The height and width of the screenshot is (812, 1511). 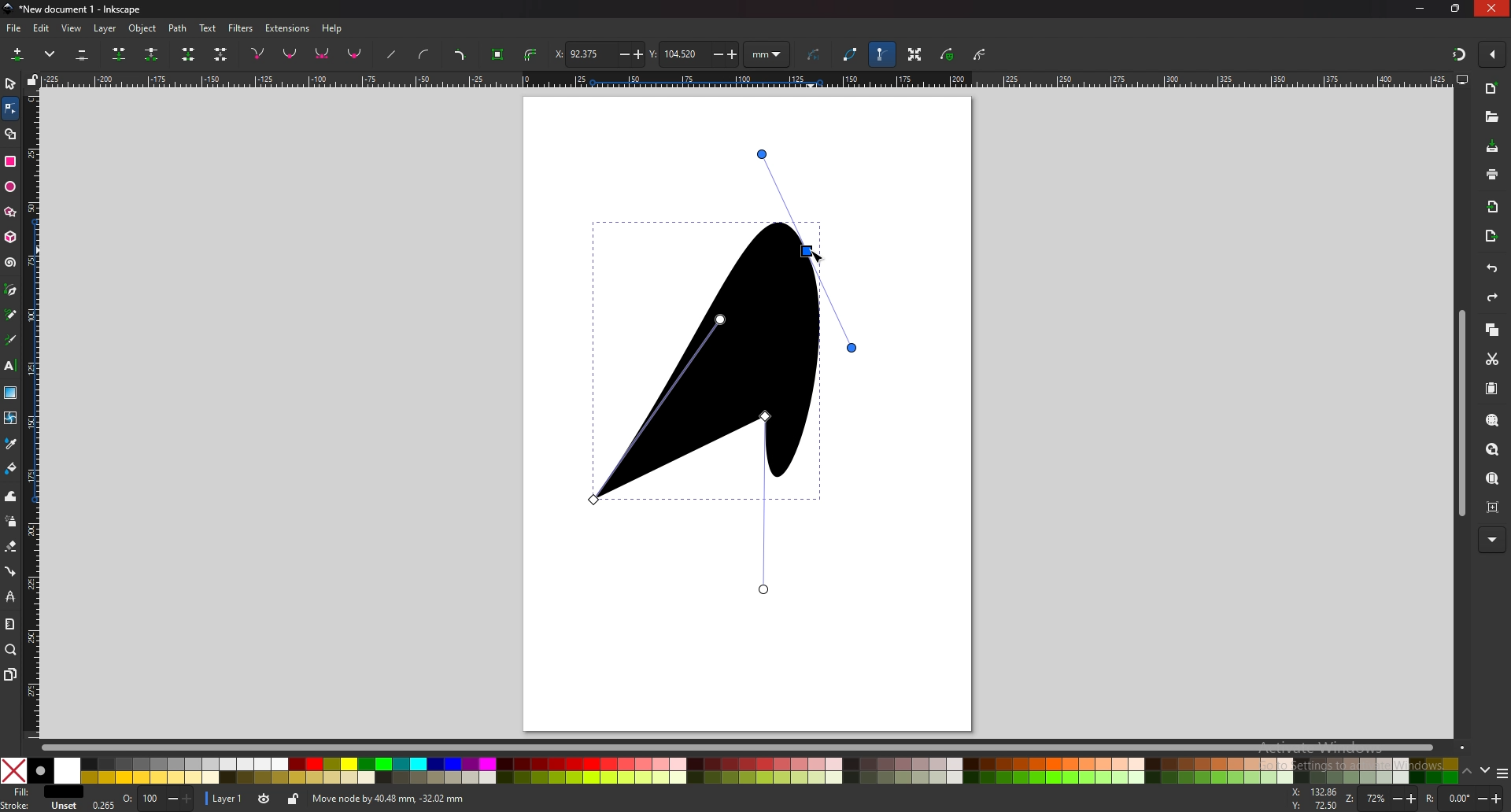 I want to click on path, so click(x=179, y=29).